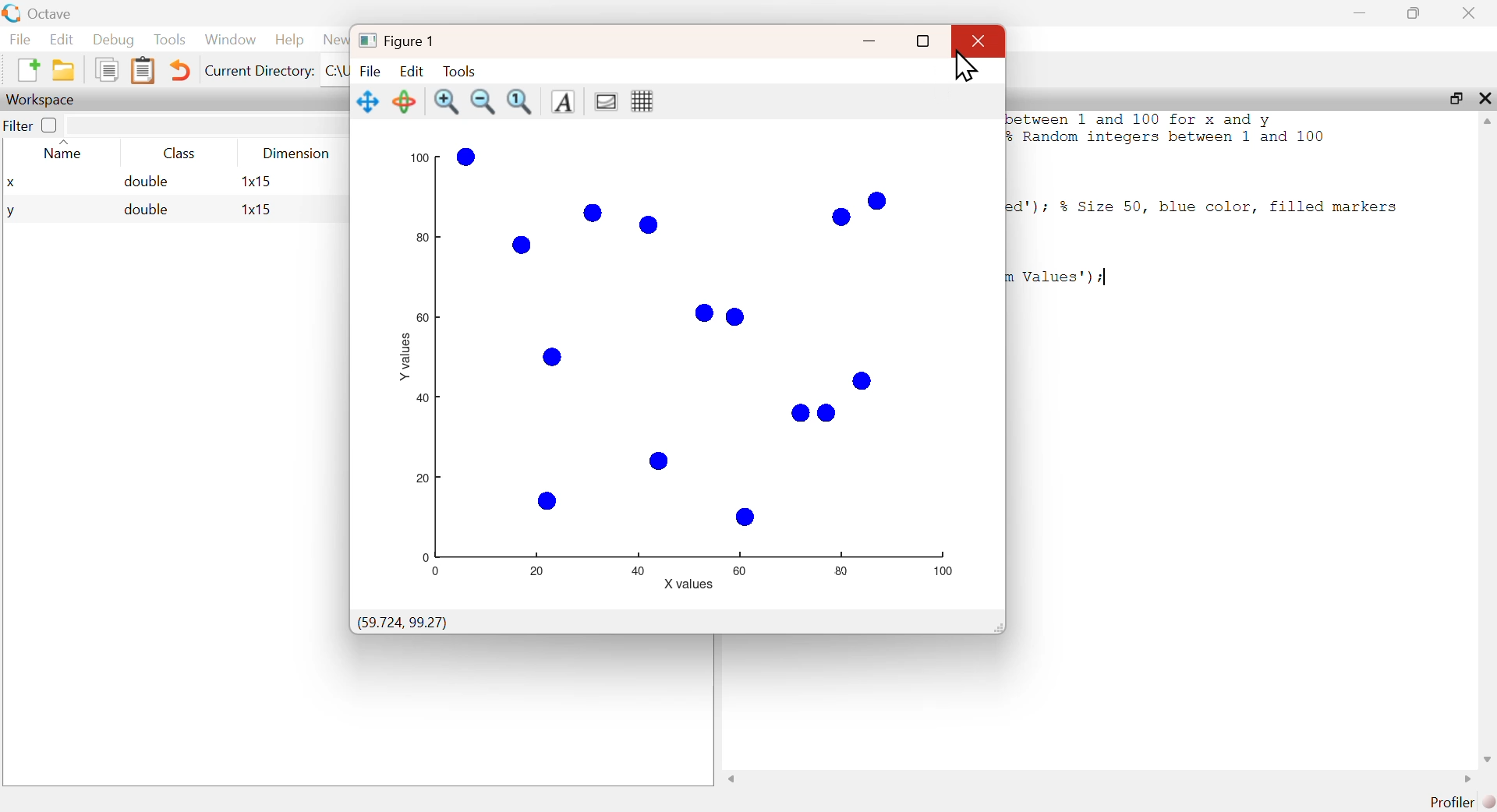  I want to click on Filter, so click(34, 125).